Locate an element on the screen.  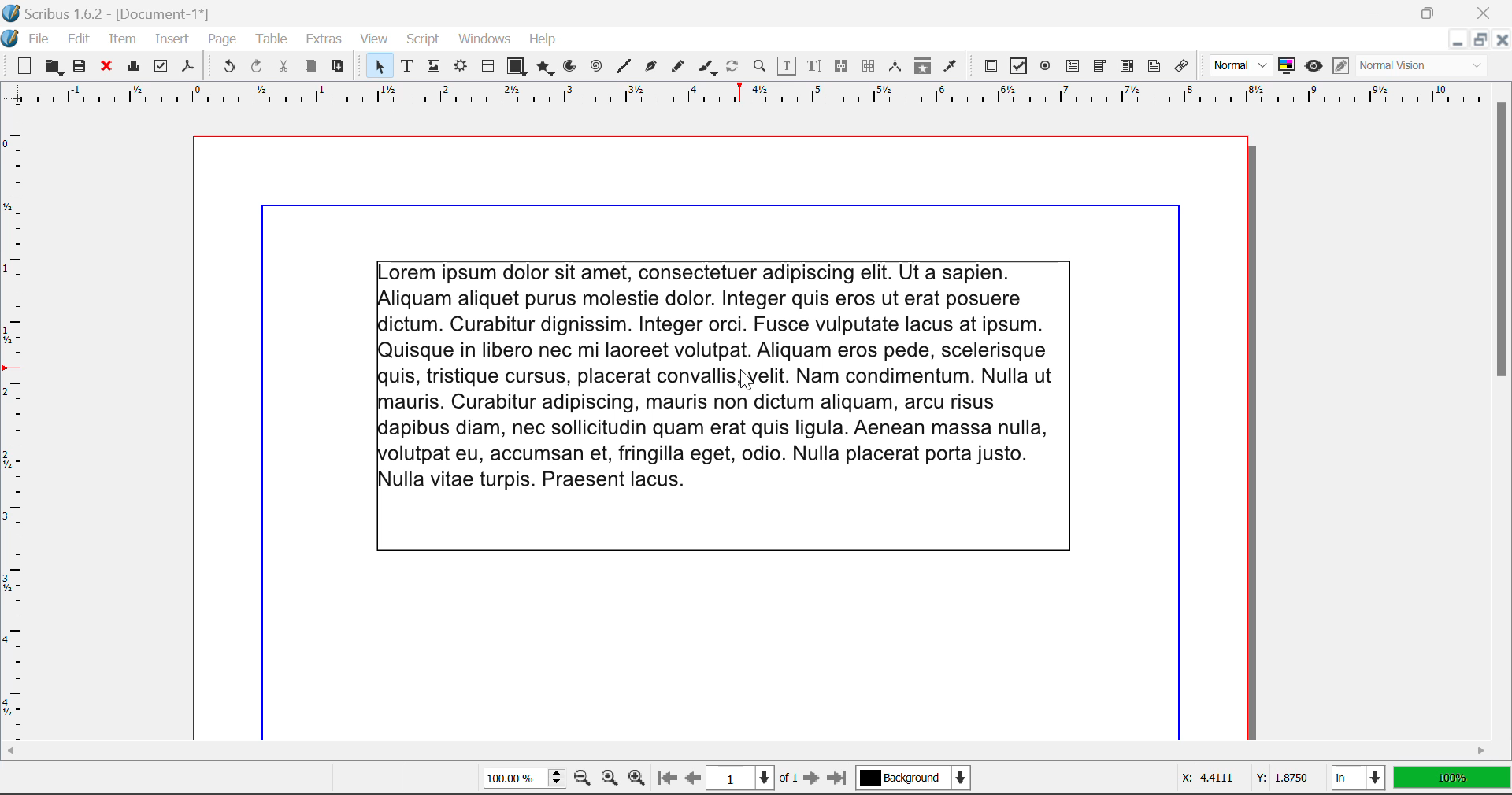
Edit Text with Story Editor is located at coordinates (817, 66).